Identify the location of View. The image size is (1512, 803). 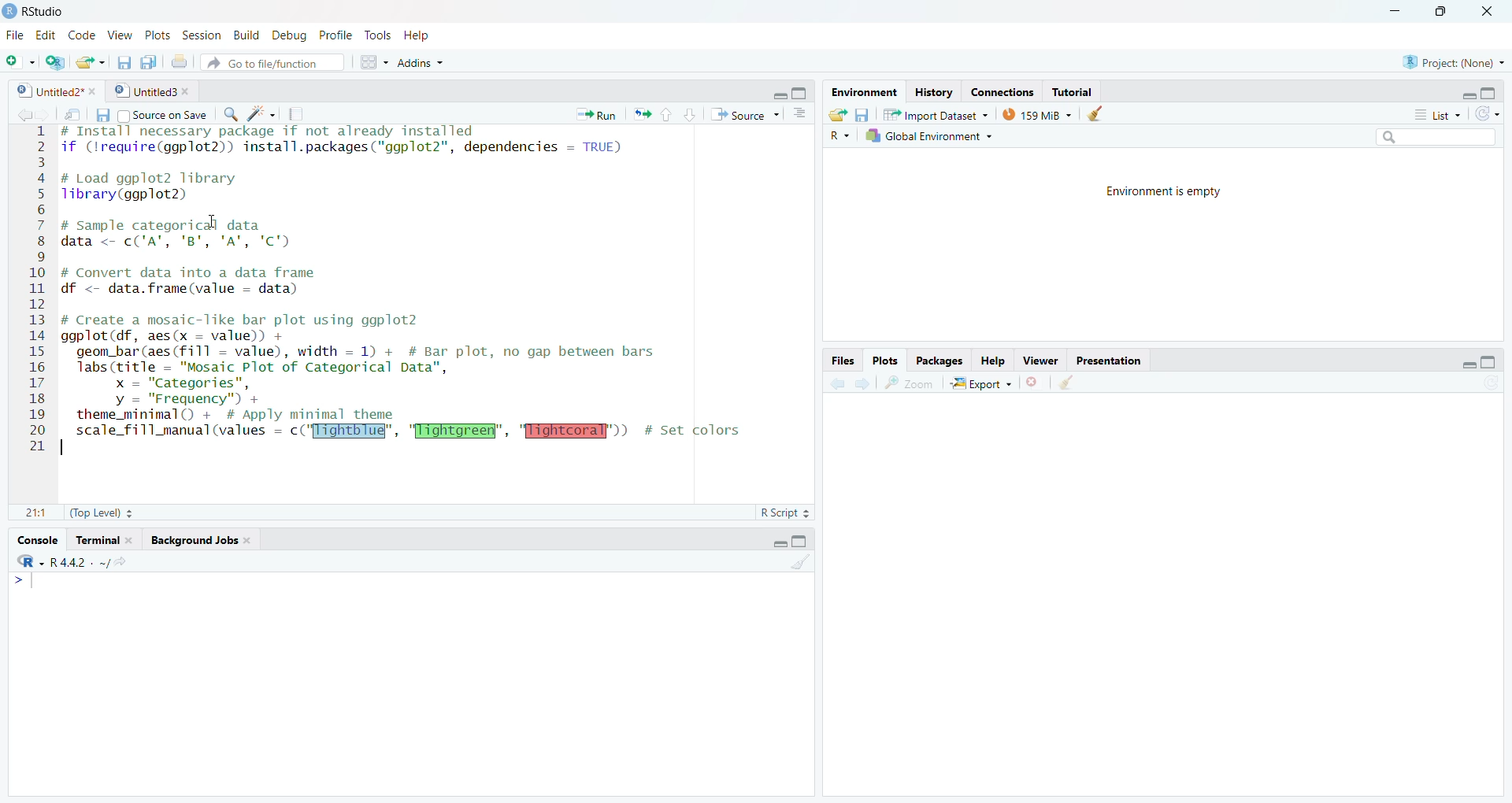
(120, 36).